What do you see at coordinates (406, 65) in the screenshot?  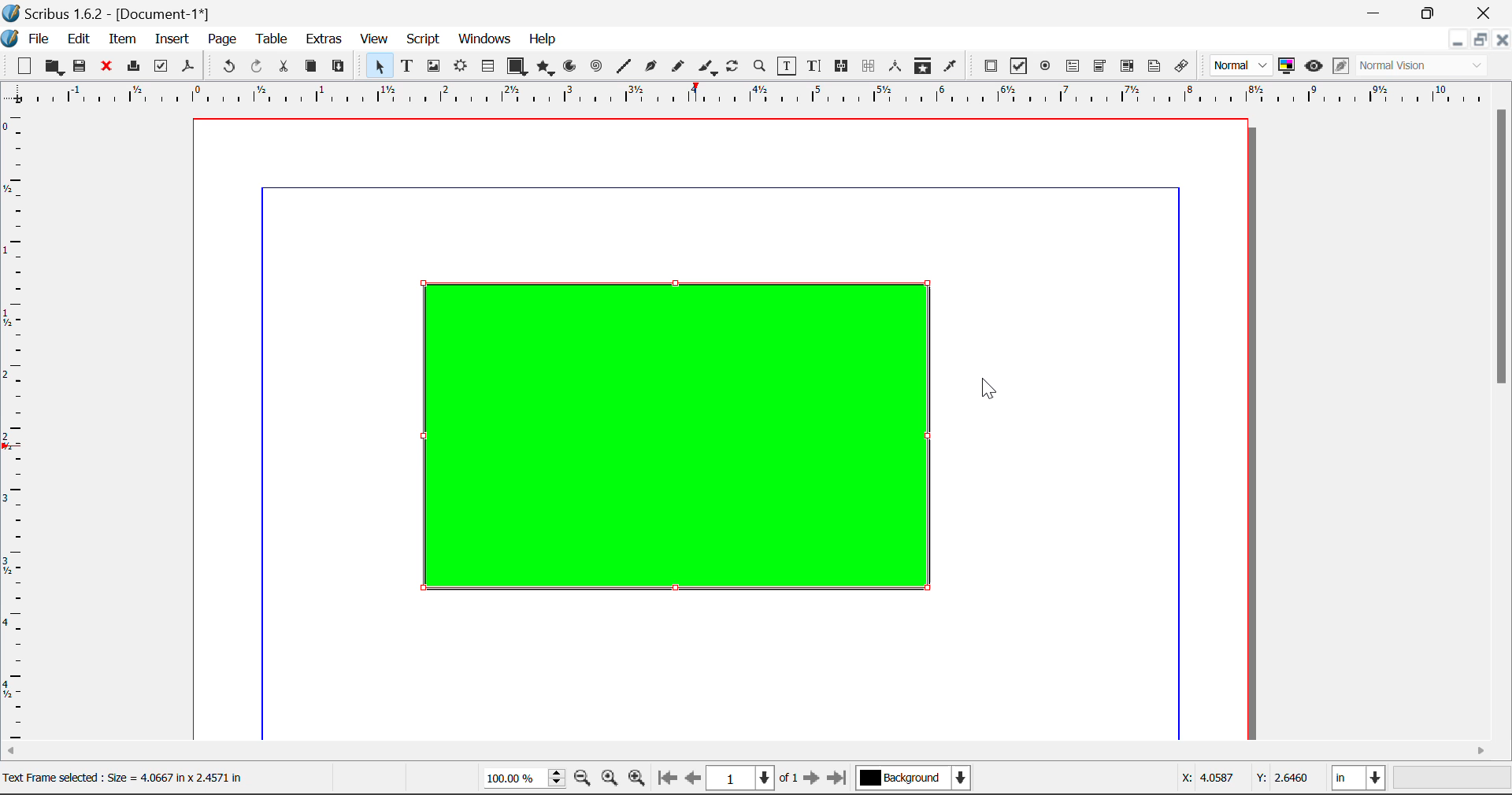 I see `Text Frame Selected` at bounding box center [406, 65].